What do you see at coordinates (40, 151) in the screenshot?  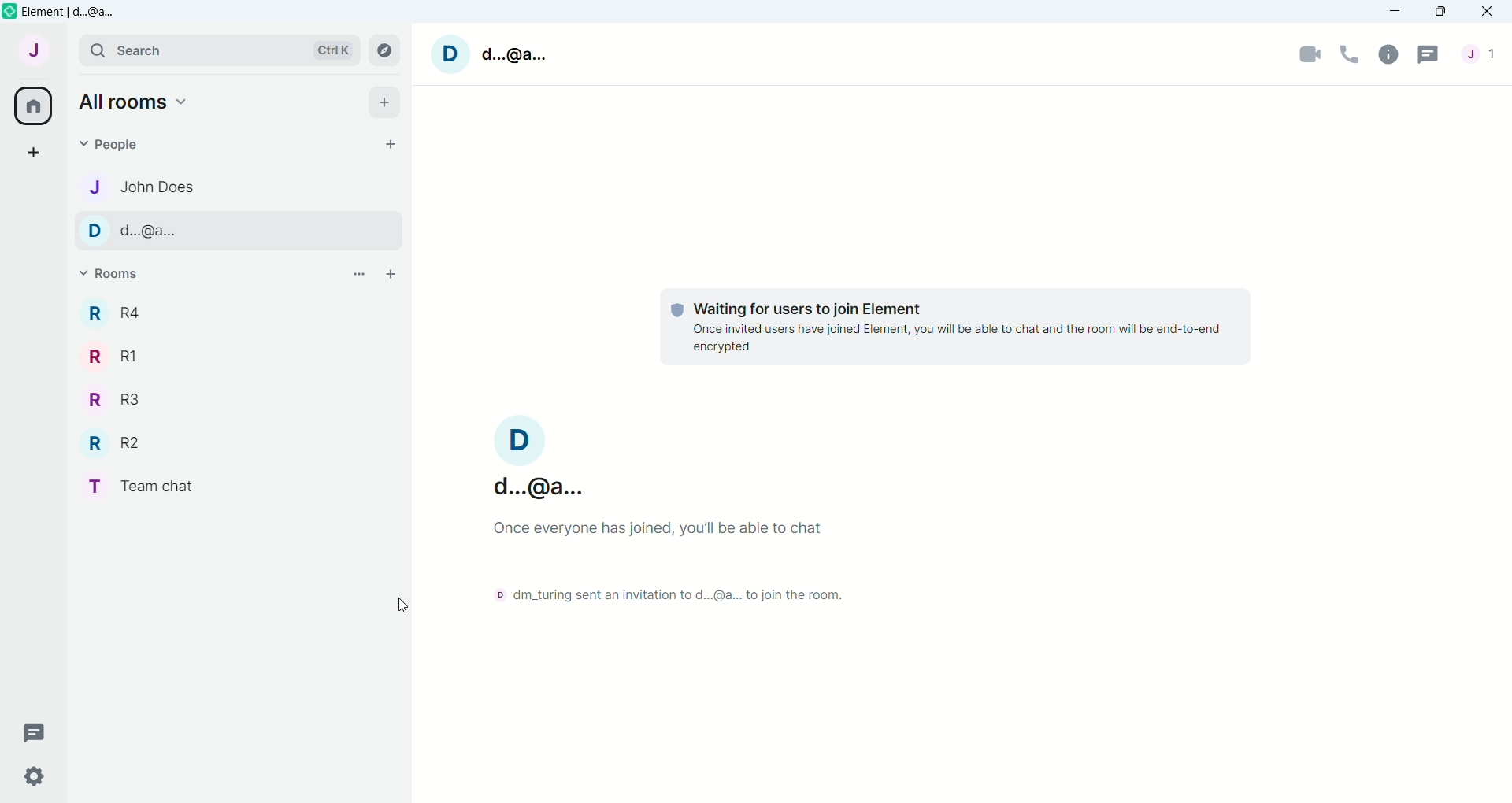 I see `Create a space` at bounding box center [40, 151].